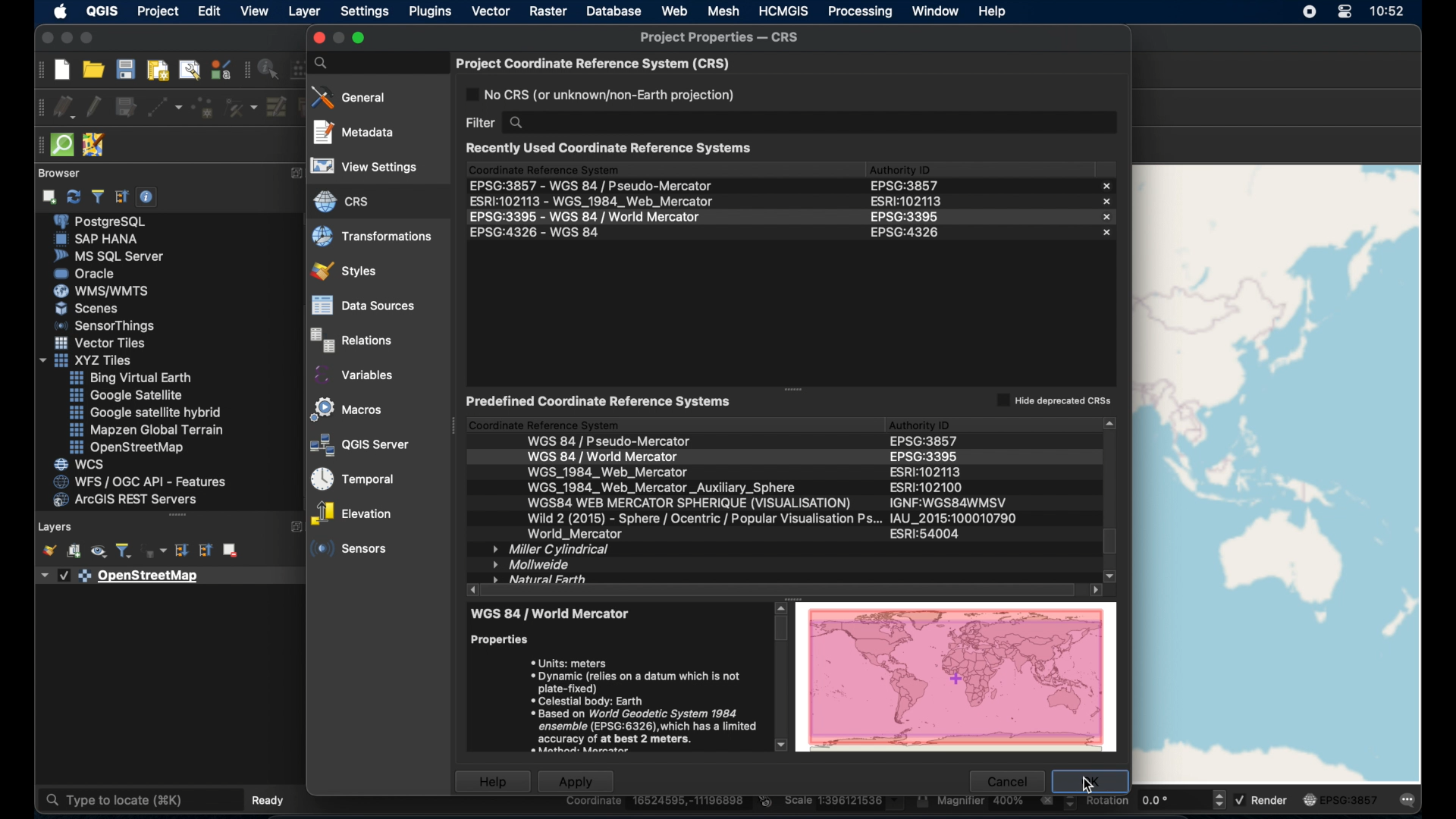  Describe the element at coordinates (351, 338) in the screenshot. I see `relations` at that location.